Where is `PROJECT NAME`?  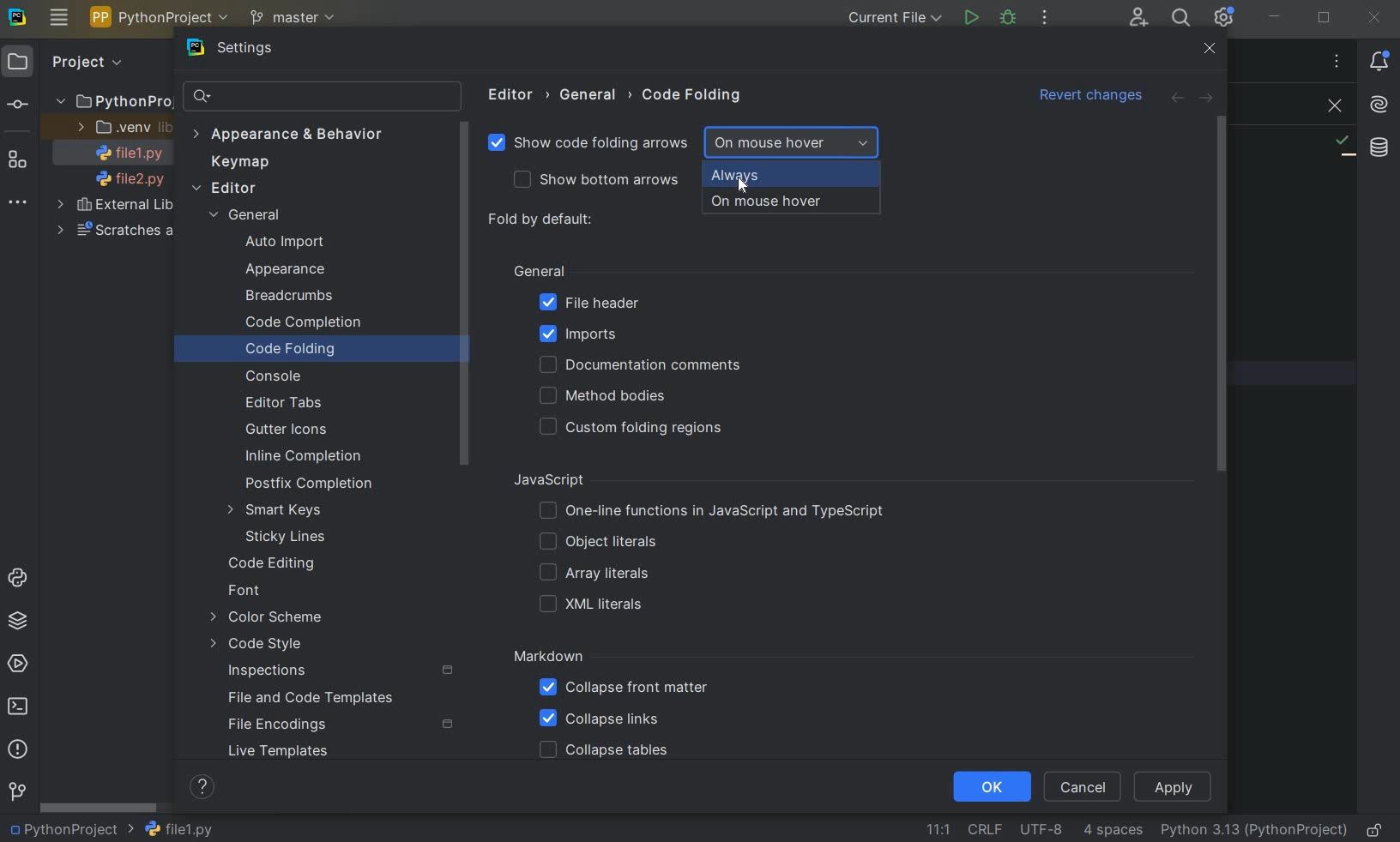 PROJECT NAME is located at coordinates (70, 830).